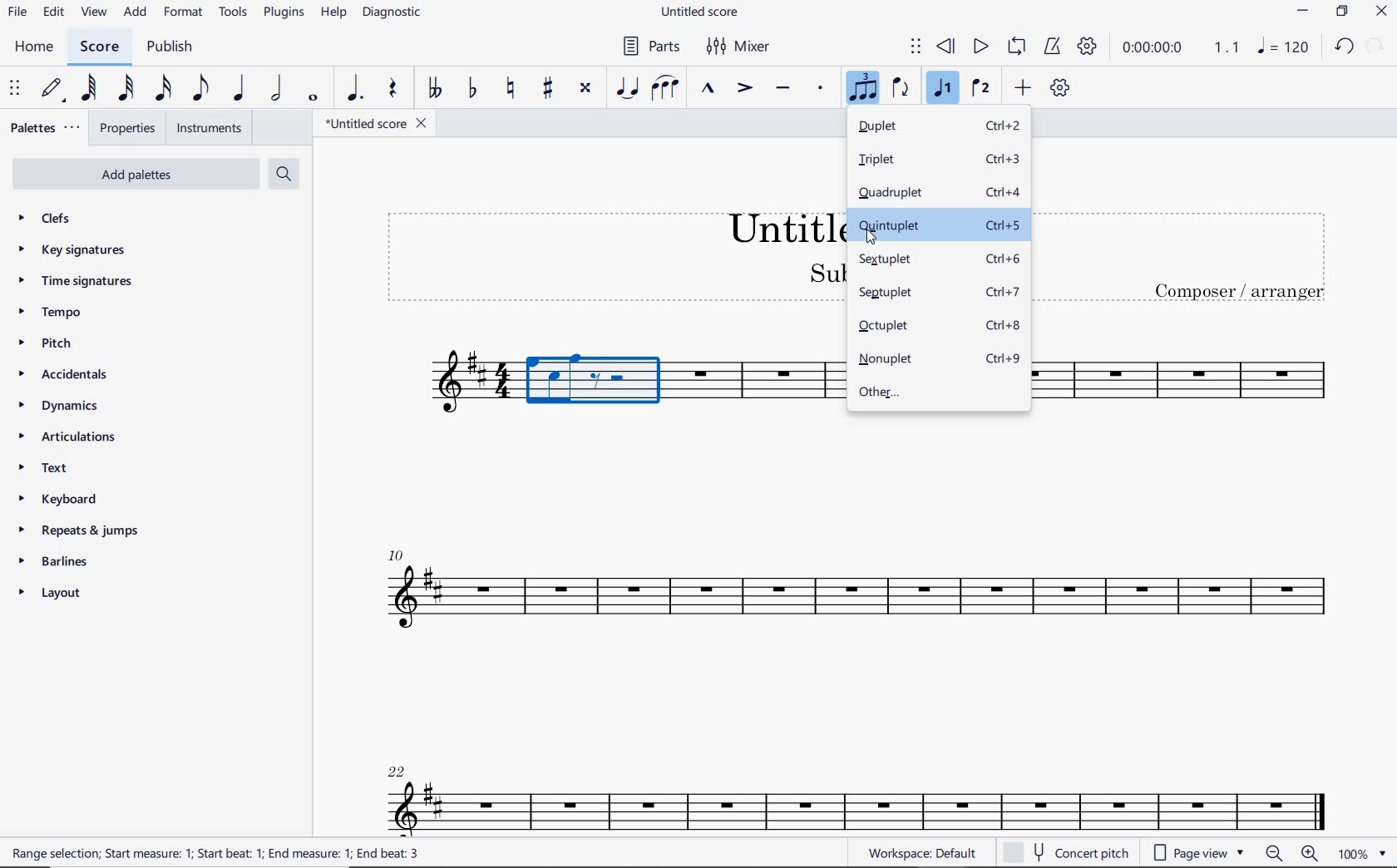  I want to click on TOGGLE NATURAL, so click(514, 90).